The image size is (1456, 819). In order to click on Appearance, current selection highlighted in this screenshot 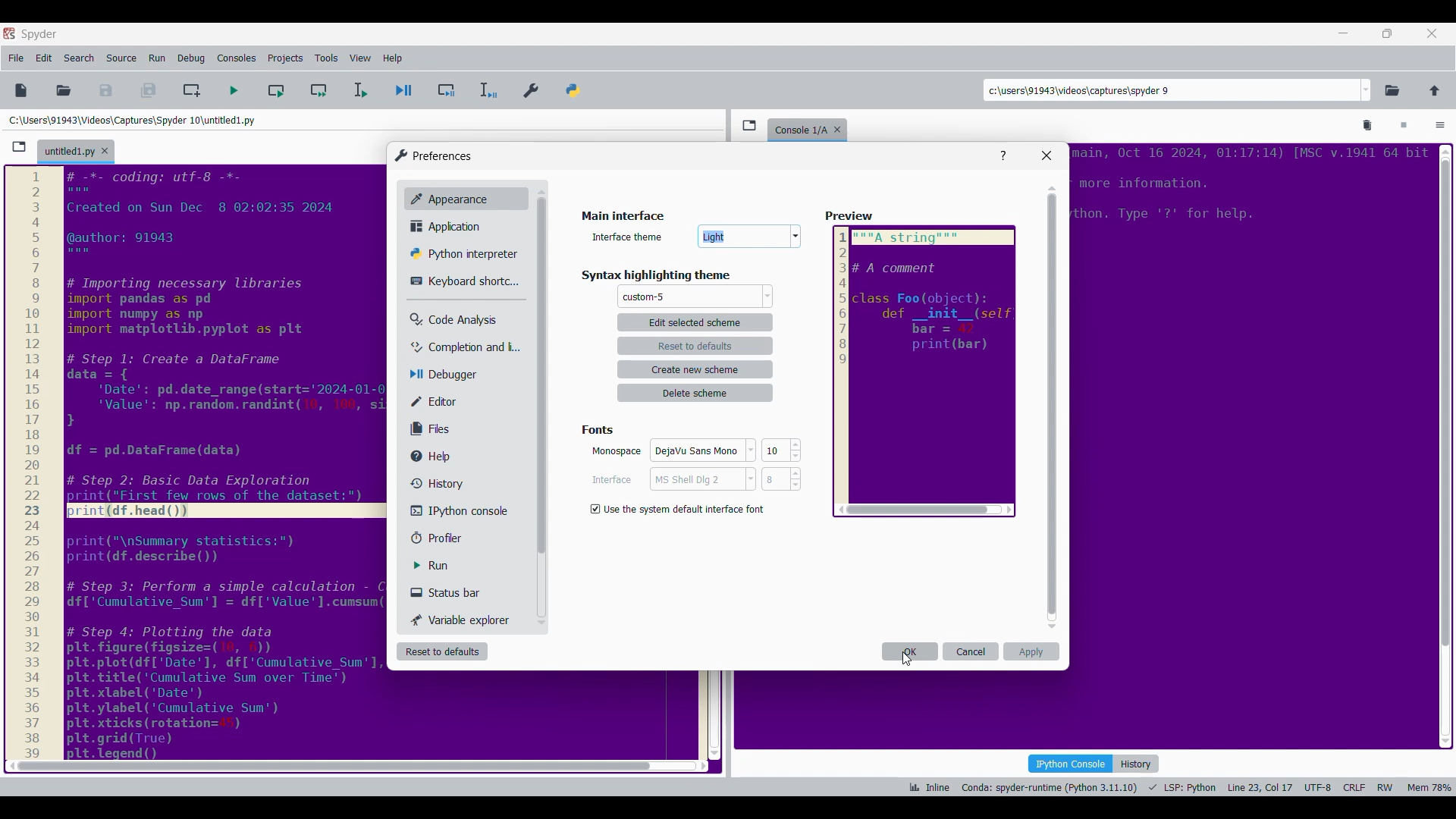, I will do `click(446, 197)`.